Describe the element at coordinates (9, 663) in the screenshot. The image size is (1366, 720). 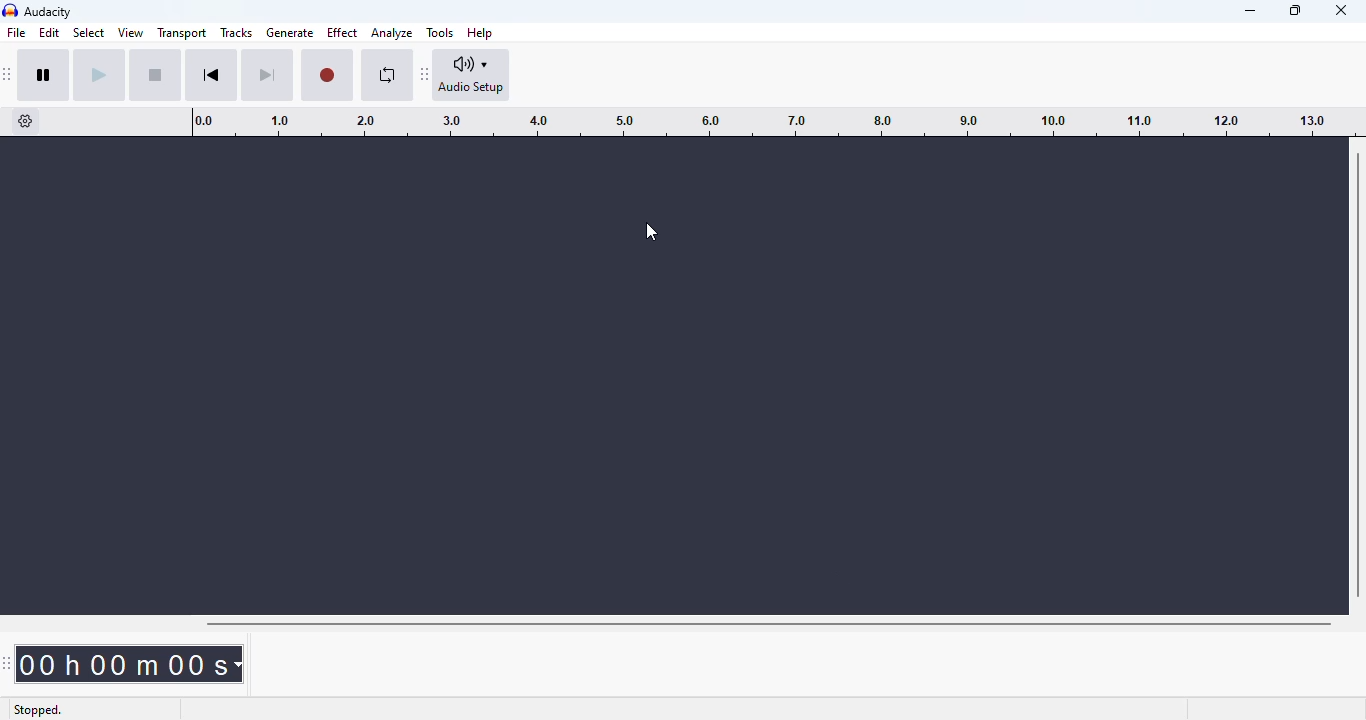
I see `audacity time toolbar` at that location.